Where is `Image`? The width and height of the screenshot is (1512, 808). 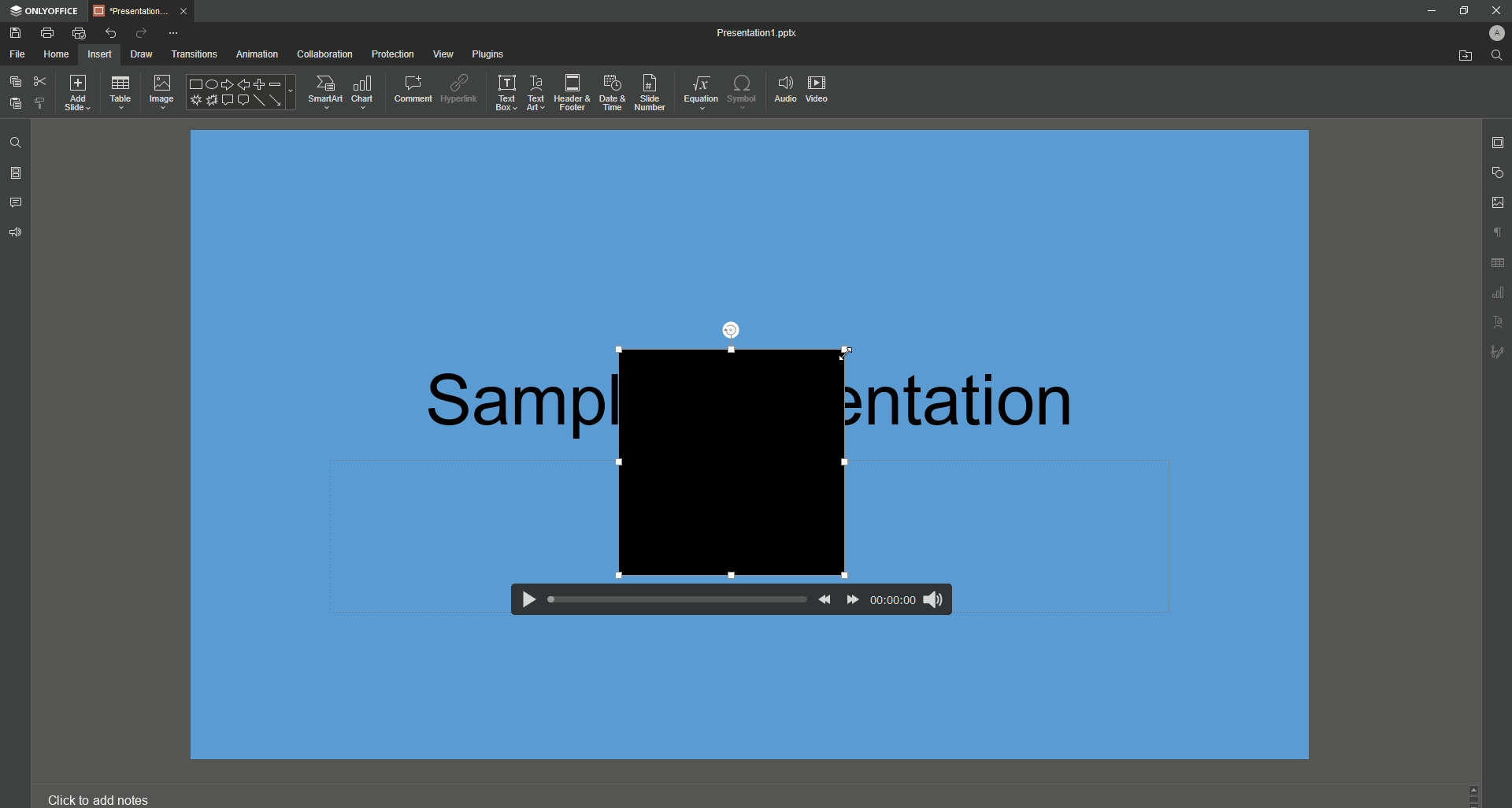
Image is located at coordinates (160, 93).